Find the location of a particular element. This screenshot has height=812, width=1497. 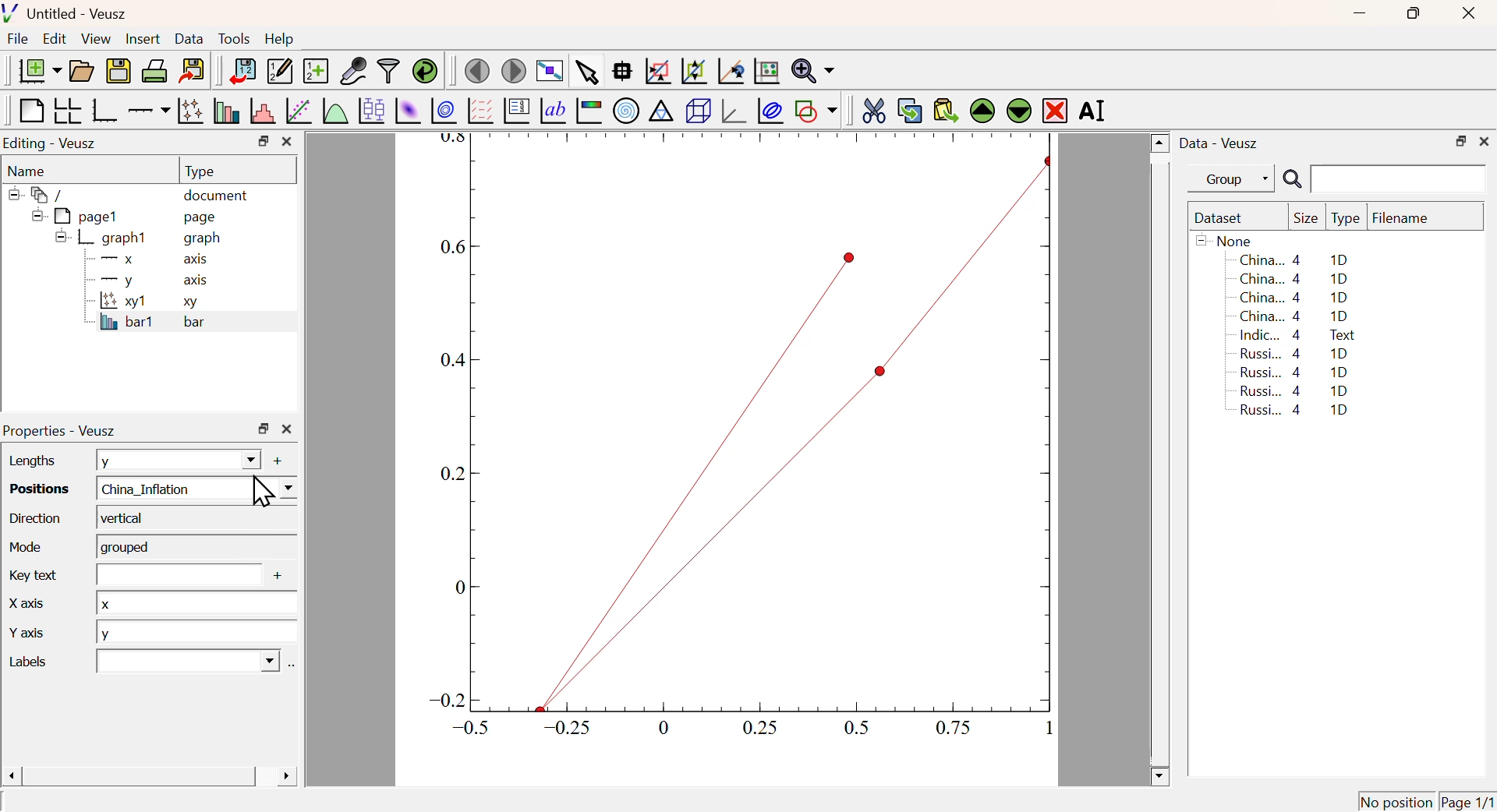

Help is located at coordinates (280, 39).